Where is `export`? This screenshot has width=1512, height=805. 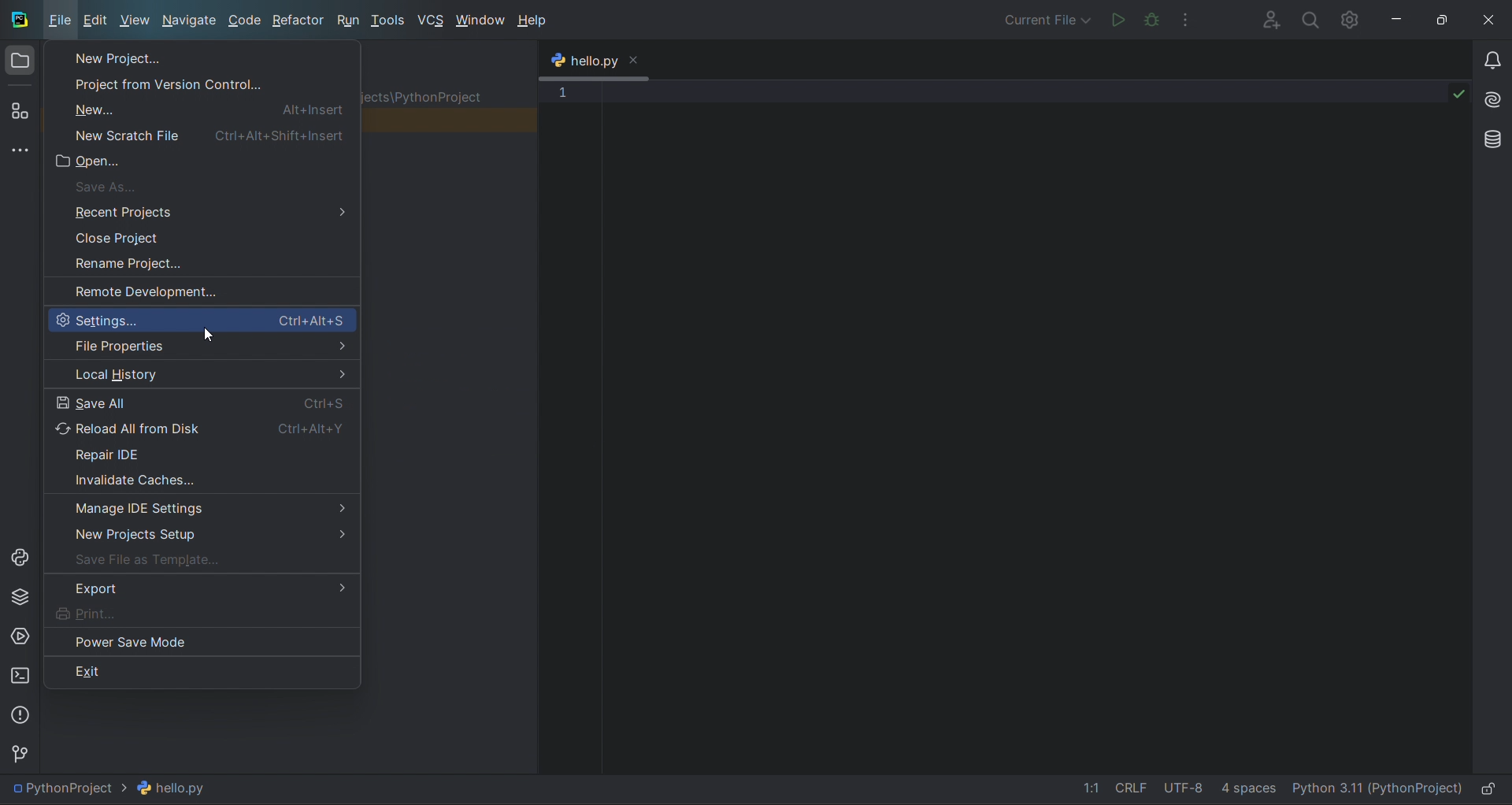
export is located at coordinates (201, 588).